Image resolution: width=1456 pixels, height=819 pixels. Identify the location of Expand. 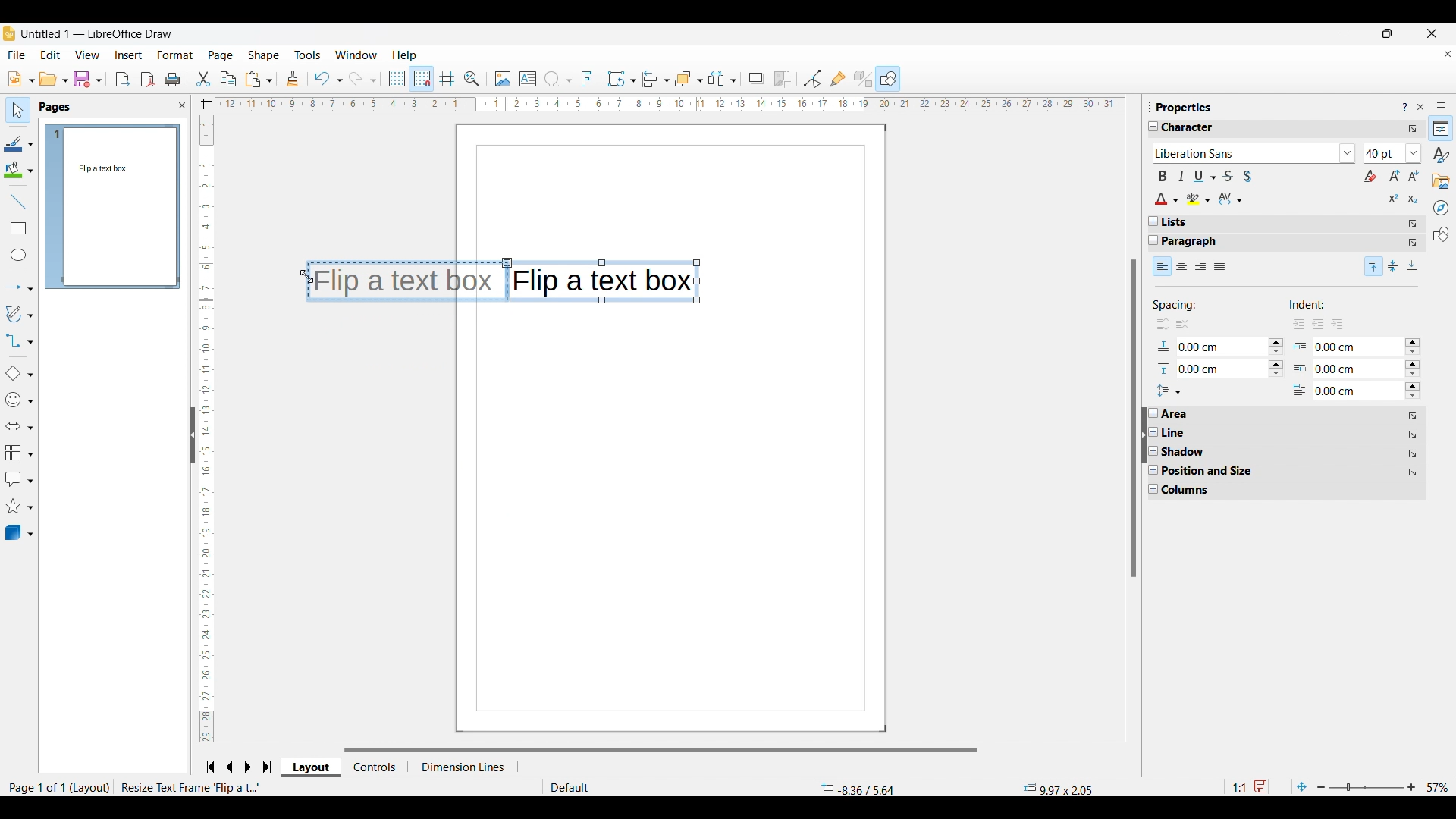
(1153, 221).